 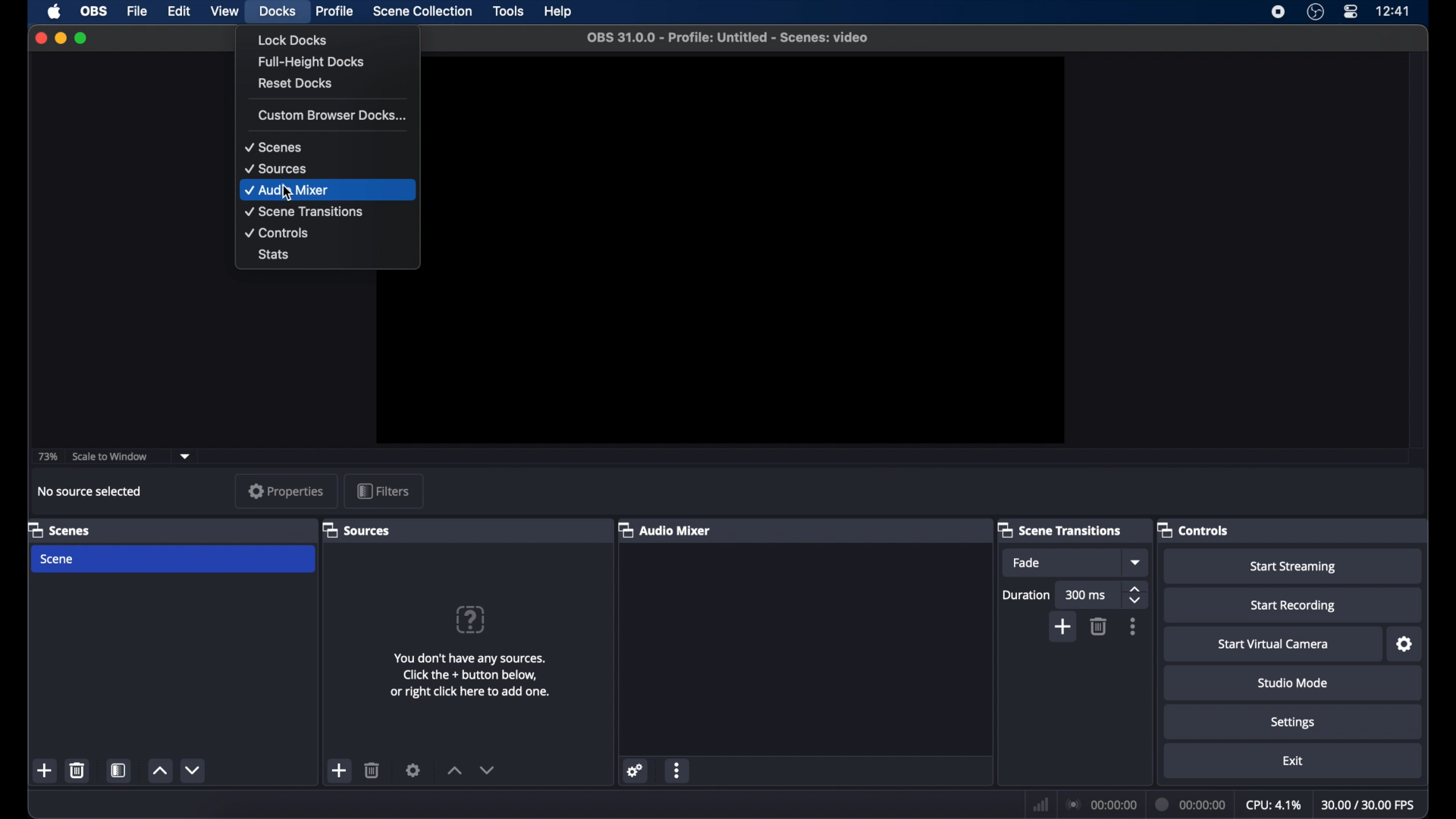 I want to click on maximize, so click(x=83, y=39).